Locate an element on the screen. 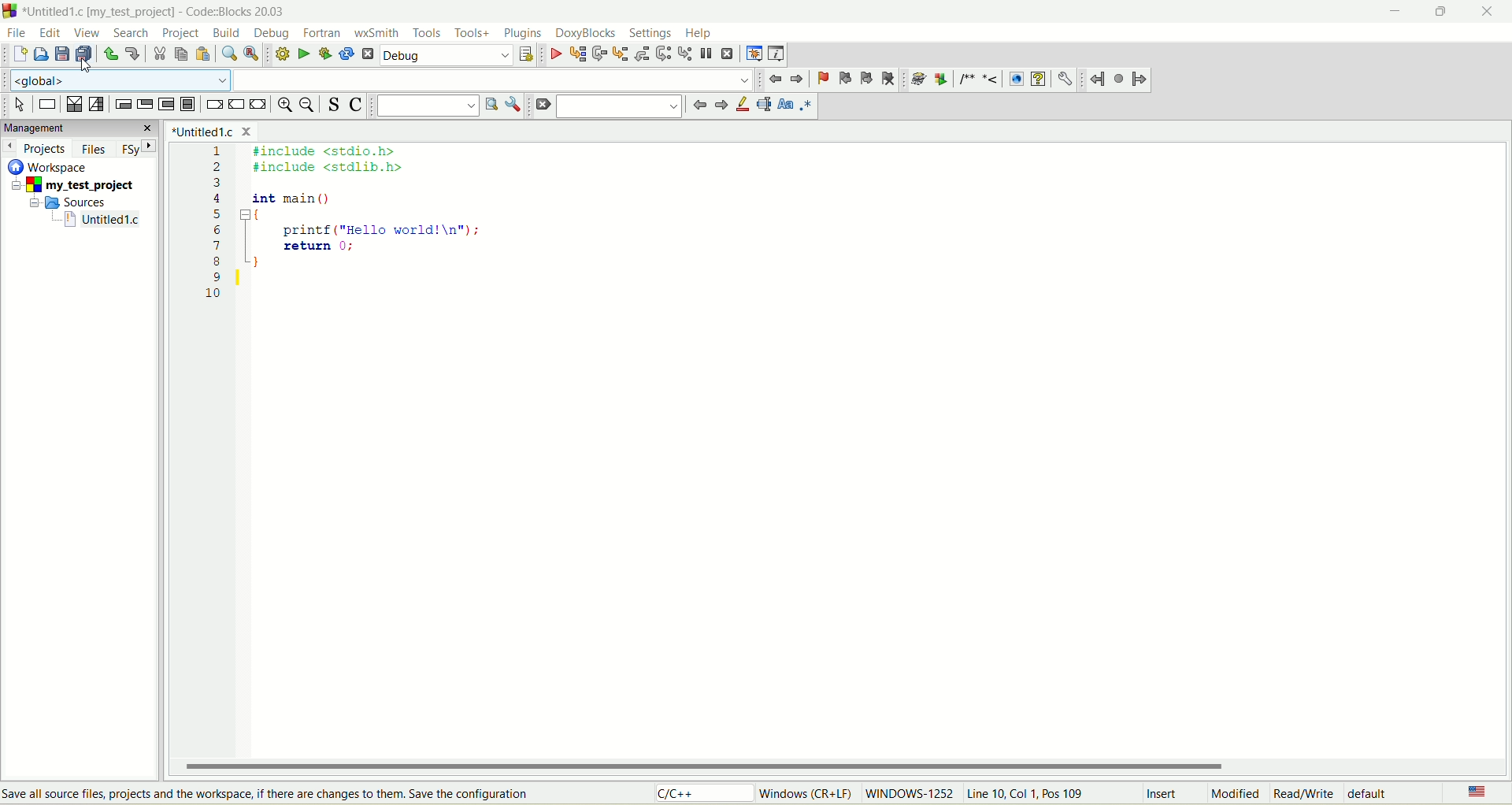 The image size is (1512, 805). help is located at coordinates (700, 32).